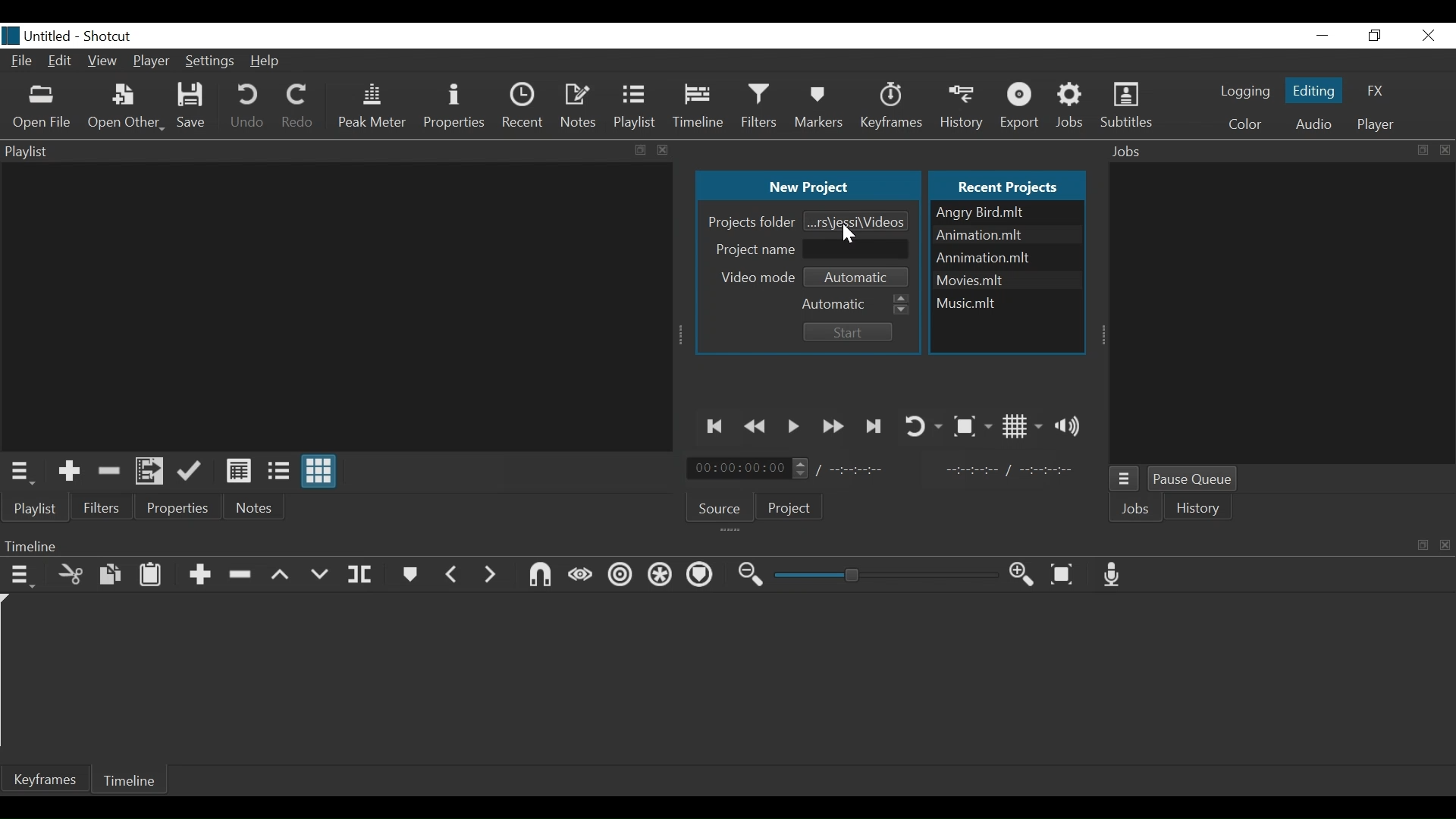  I want to click on File name, so click(1008, 258).